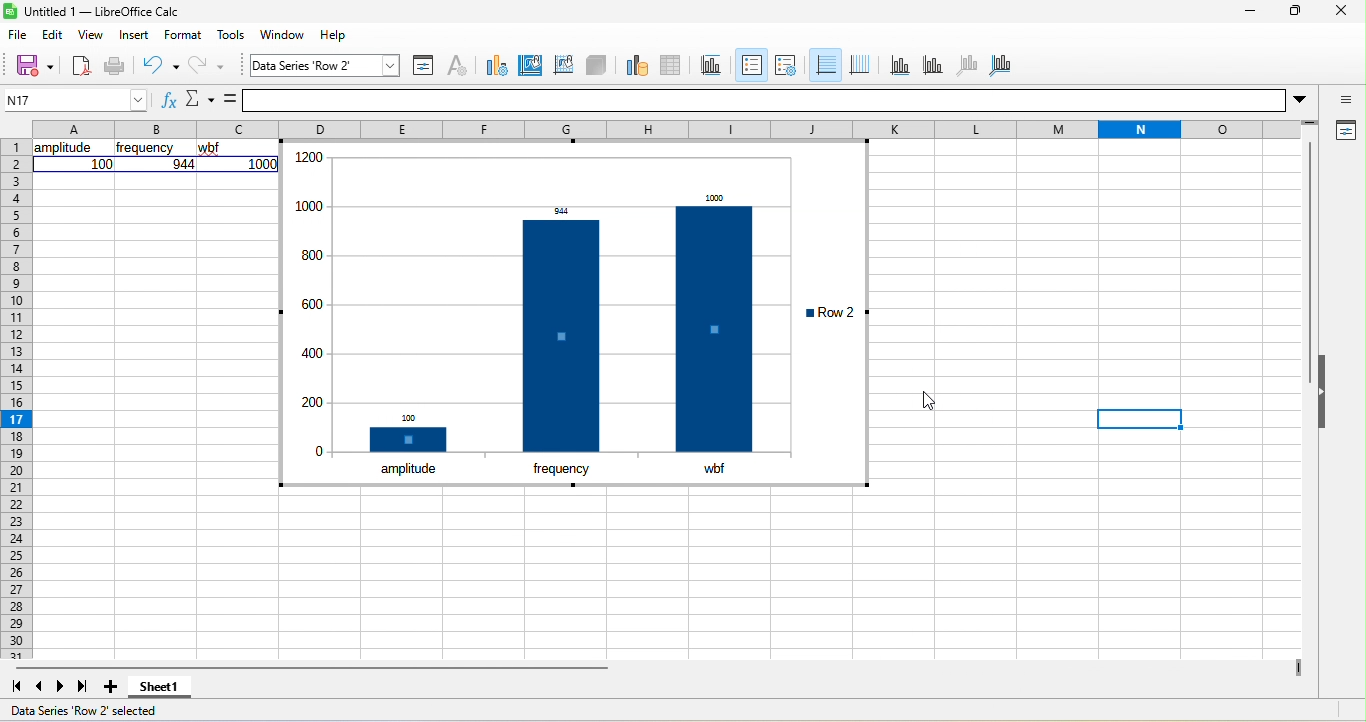  I want to click on horizontal grid, so click(825, 65).